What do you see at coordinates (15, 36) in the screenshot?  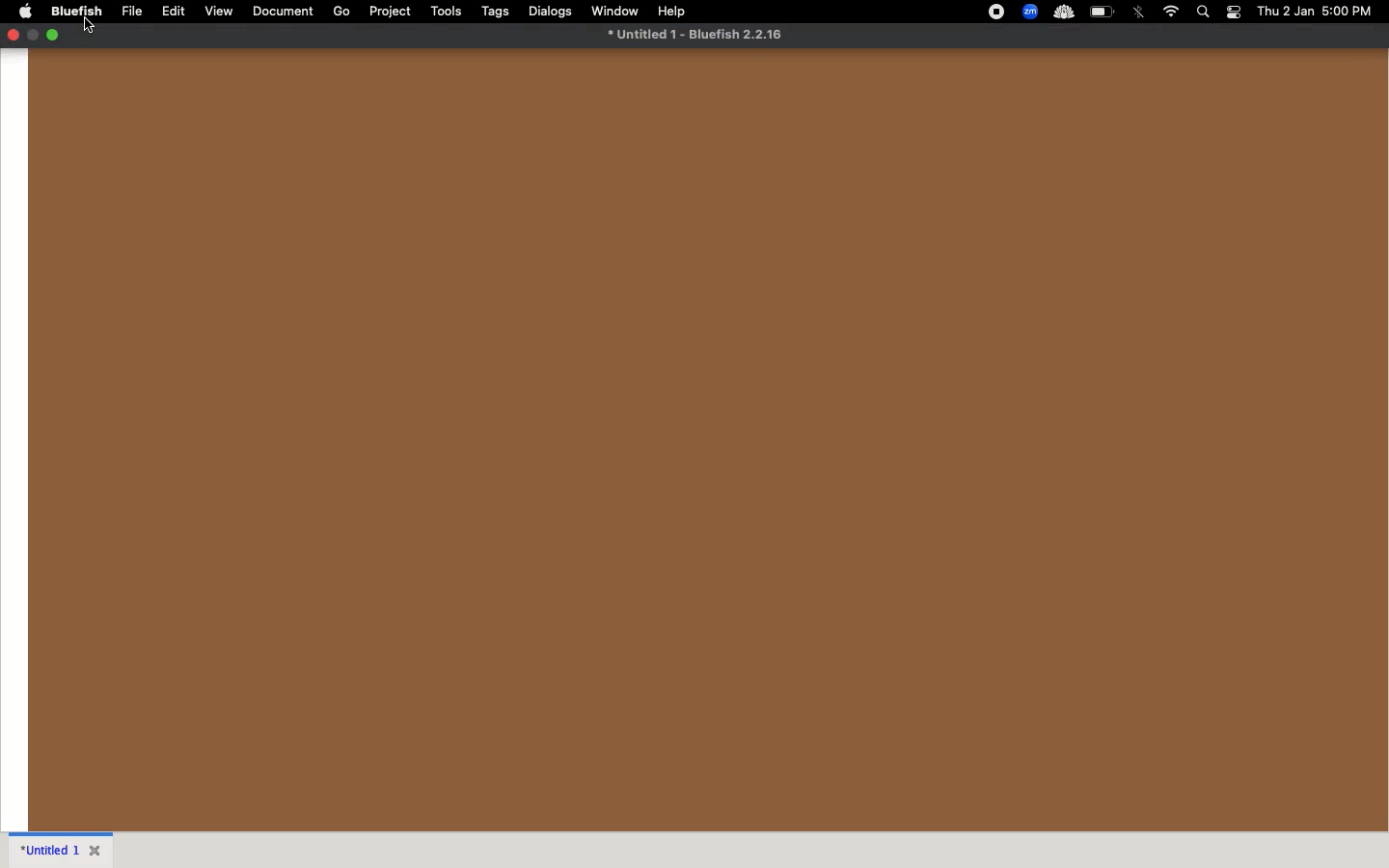 I see `close` at bounding box center [15, 36].